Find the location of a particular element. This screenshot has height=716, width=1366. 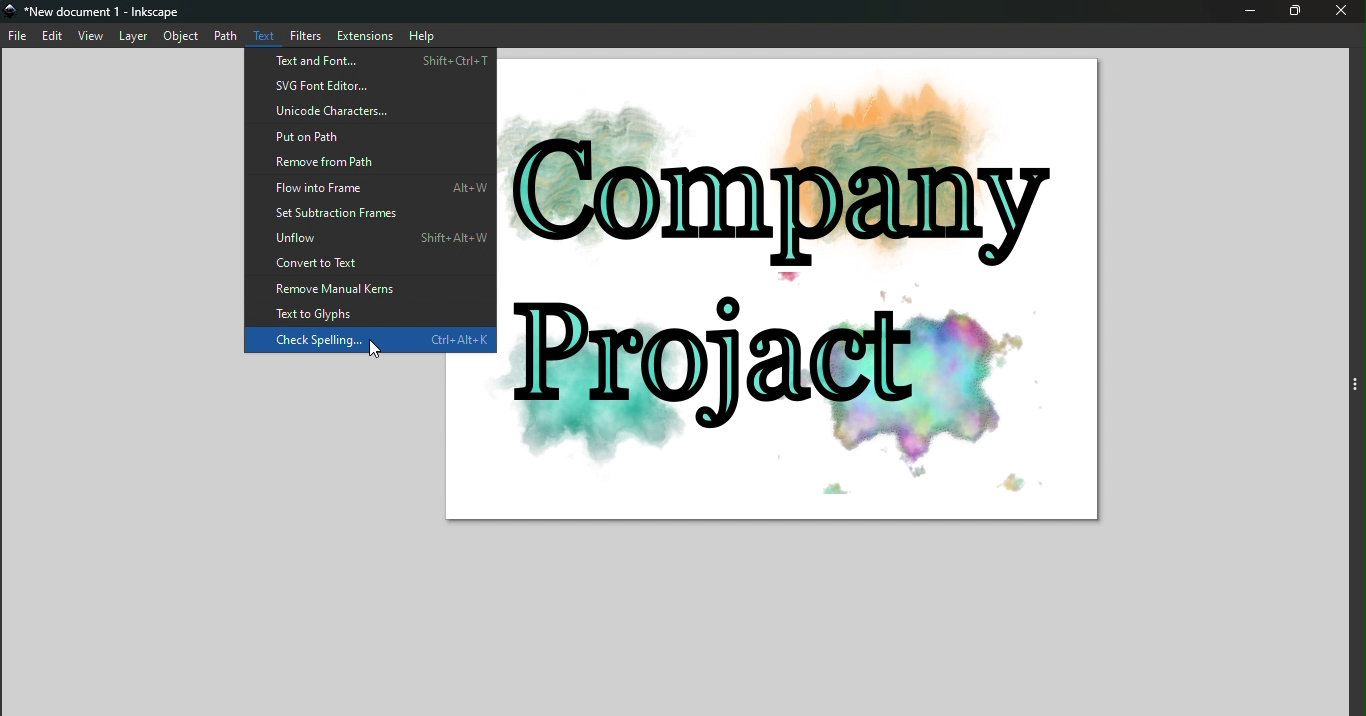

minimize is located at coordinates (1249, 12).